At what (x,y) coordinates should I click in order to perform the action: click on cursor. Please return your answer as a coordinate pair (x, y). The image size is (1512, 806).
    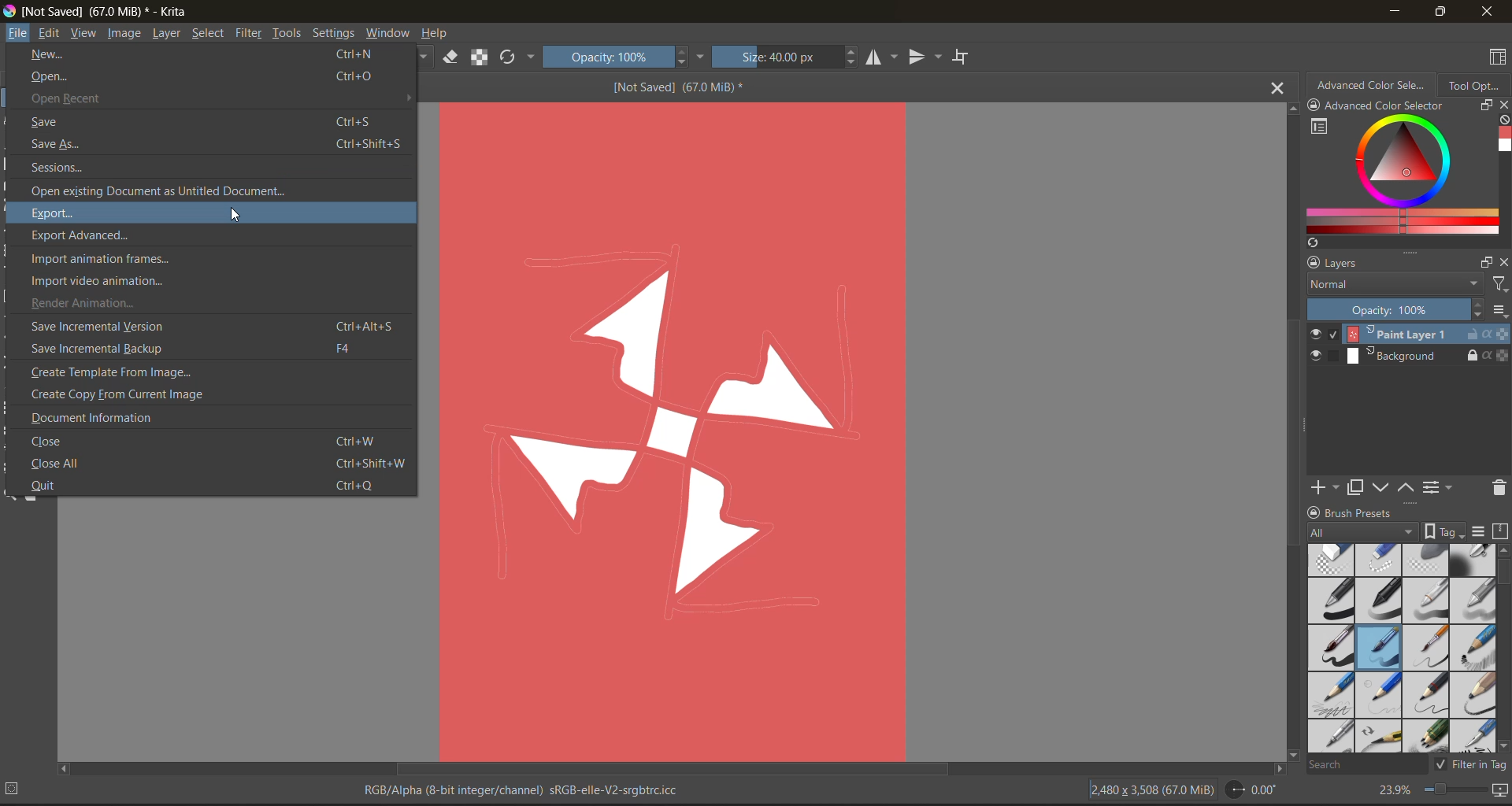
    Looking at the image, I should click on (239, 217).